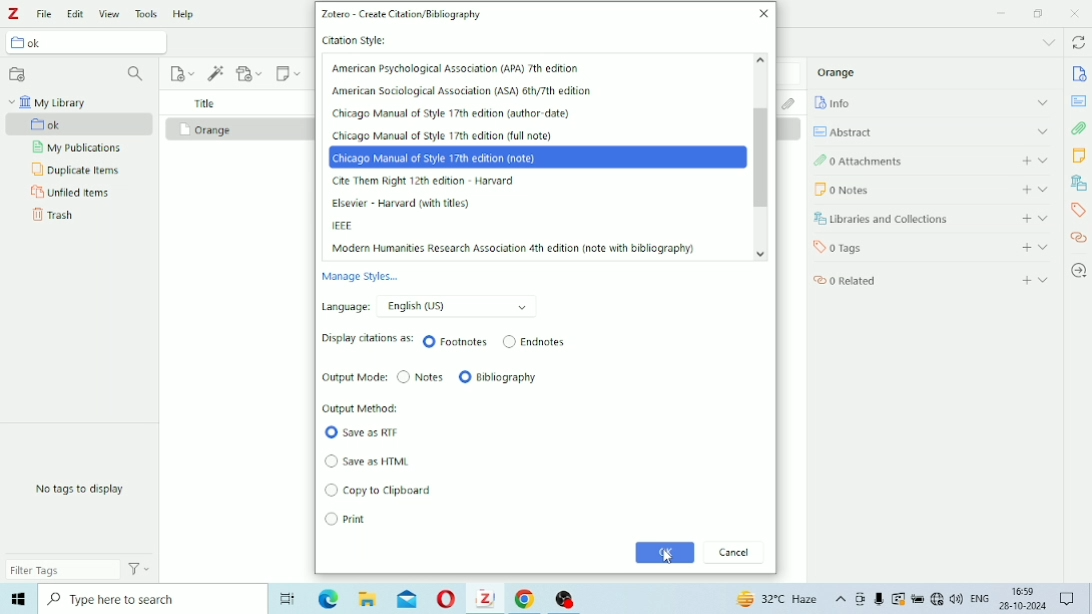 Image resolution: width=1092 pixels, height=614 pixels. Describe the element at coordinates (356, 40) in the screenshot. I see `Citation Style:` at that location.